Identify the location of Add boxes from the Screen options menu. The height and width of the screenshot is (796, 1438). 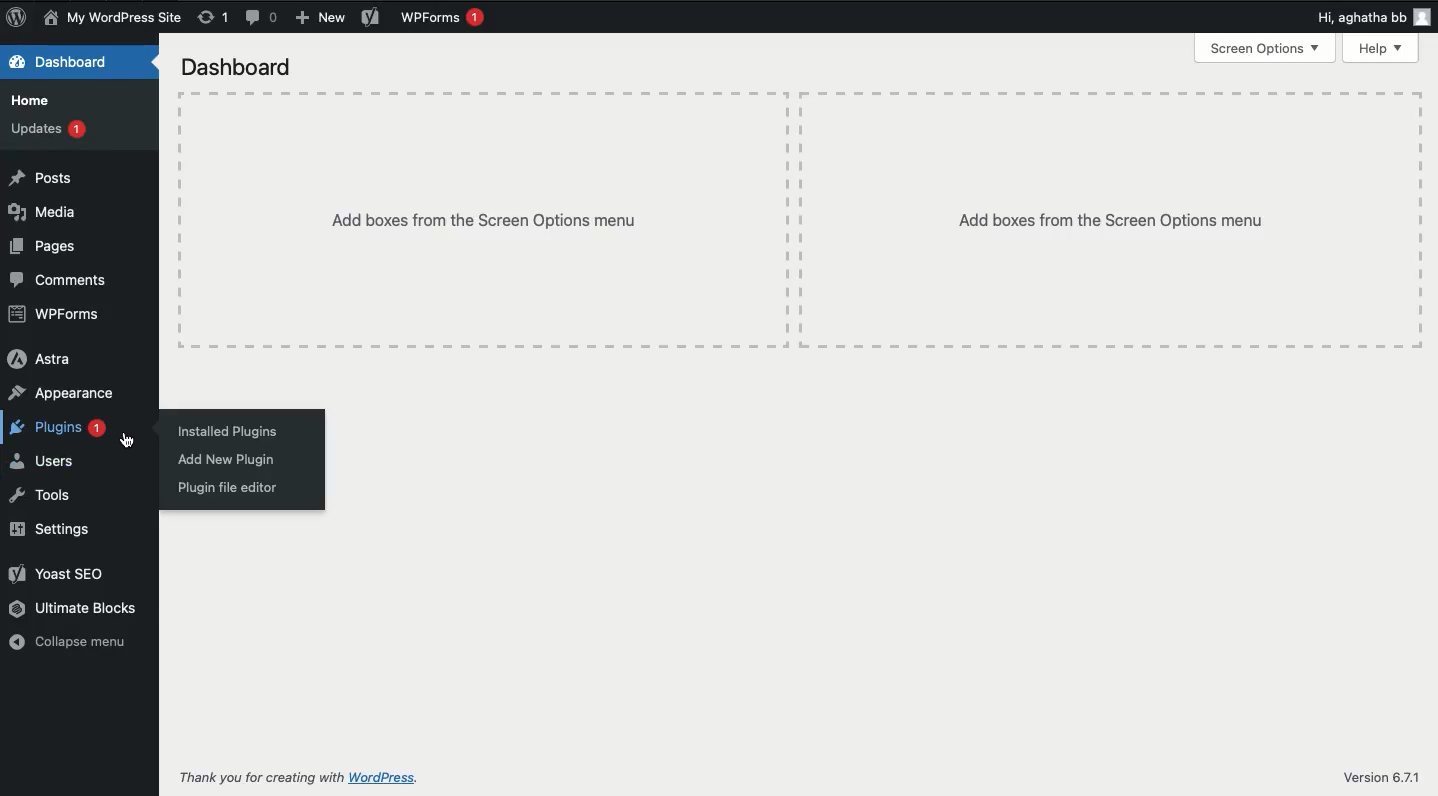
(484, 218).